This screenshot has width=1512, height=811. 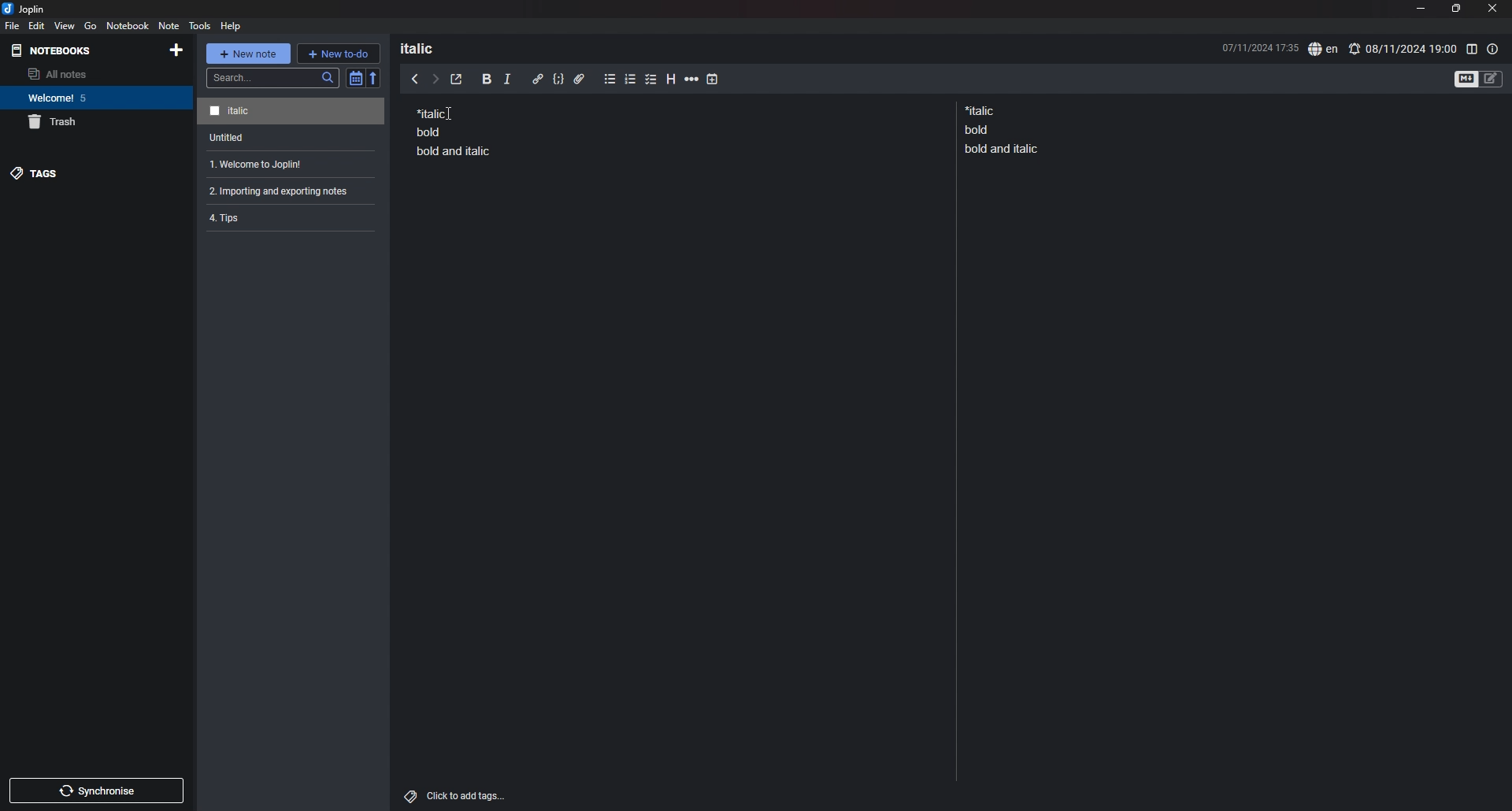 What do you see at coordinates (651, 80) in the screenshot?
I see `checkbox` at bounding box center [651, 80].